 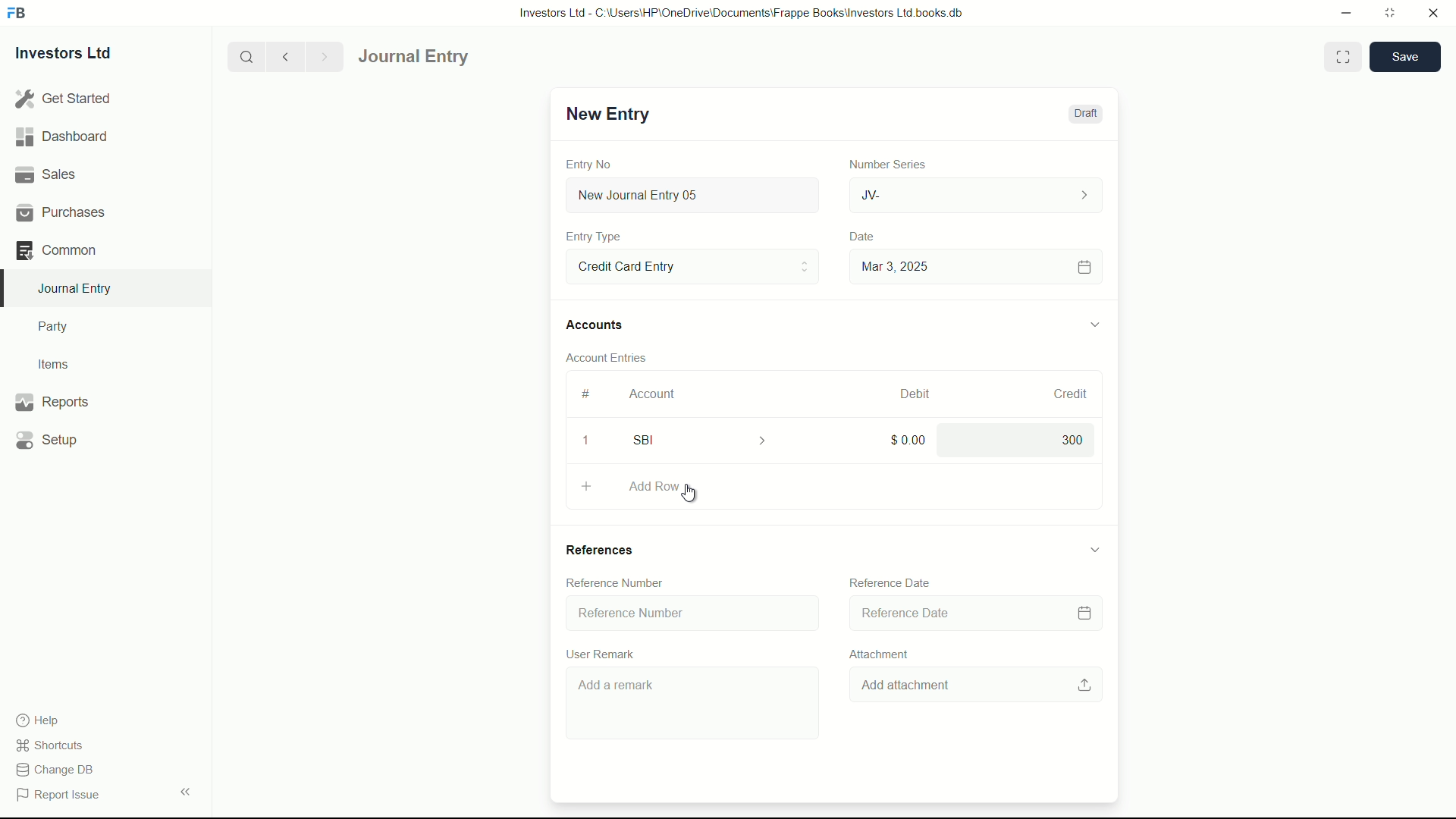 I want to click on FrappeBooks logo, so click(x=17, y=14).